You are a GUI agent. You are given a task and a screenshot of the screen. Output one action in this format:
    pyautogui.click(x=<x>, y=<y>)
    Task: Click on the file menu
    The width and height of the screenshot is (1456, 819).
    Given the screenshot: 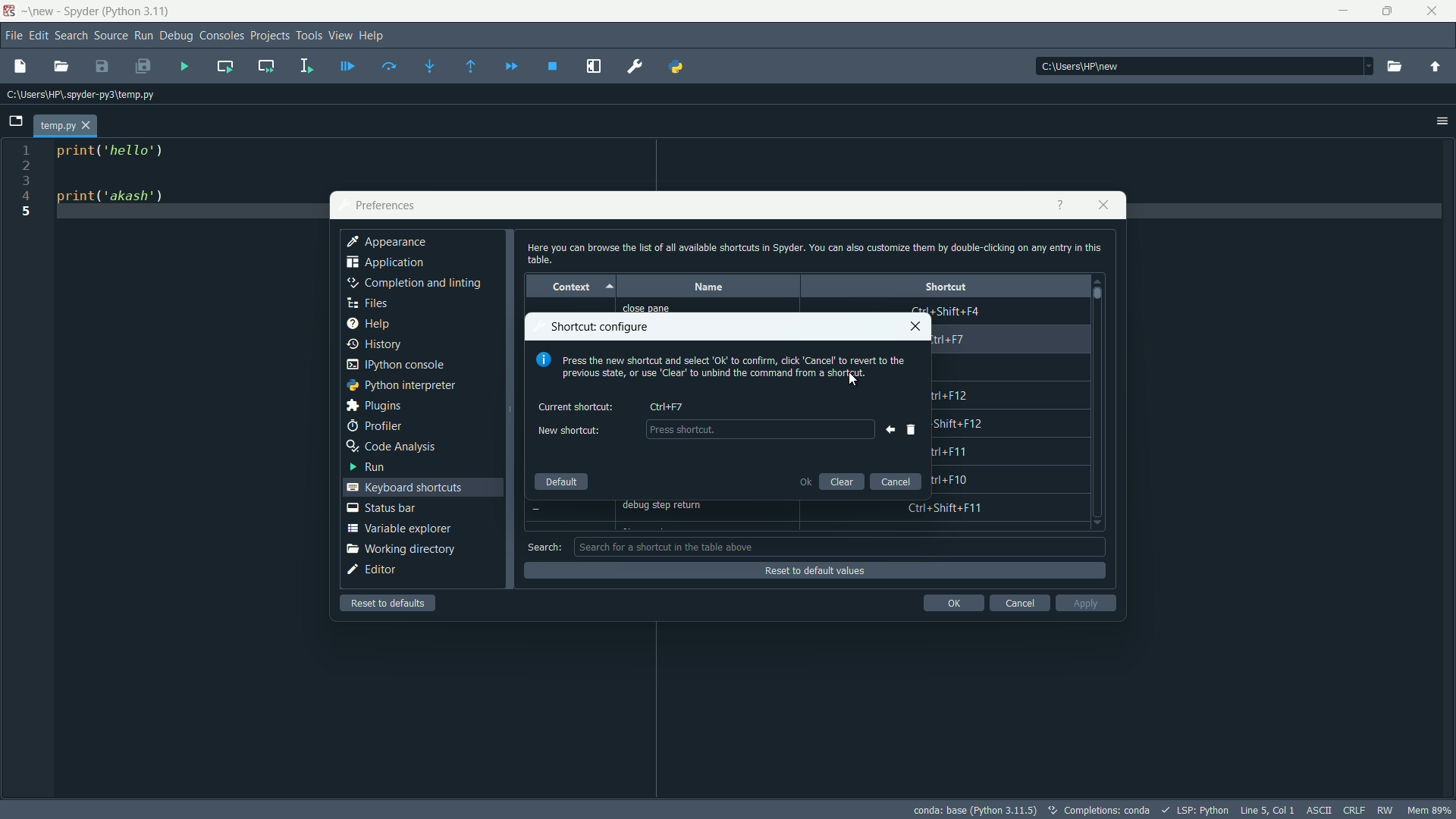 What is the action you would take?
    pyautogui.click(x=15, y=36)
    